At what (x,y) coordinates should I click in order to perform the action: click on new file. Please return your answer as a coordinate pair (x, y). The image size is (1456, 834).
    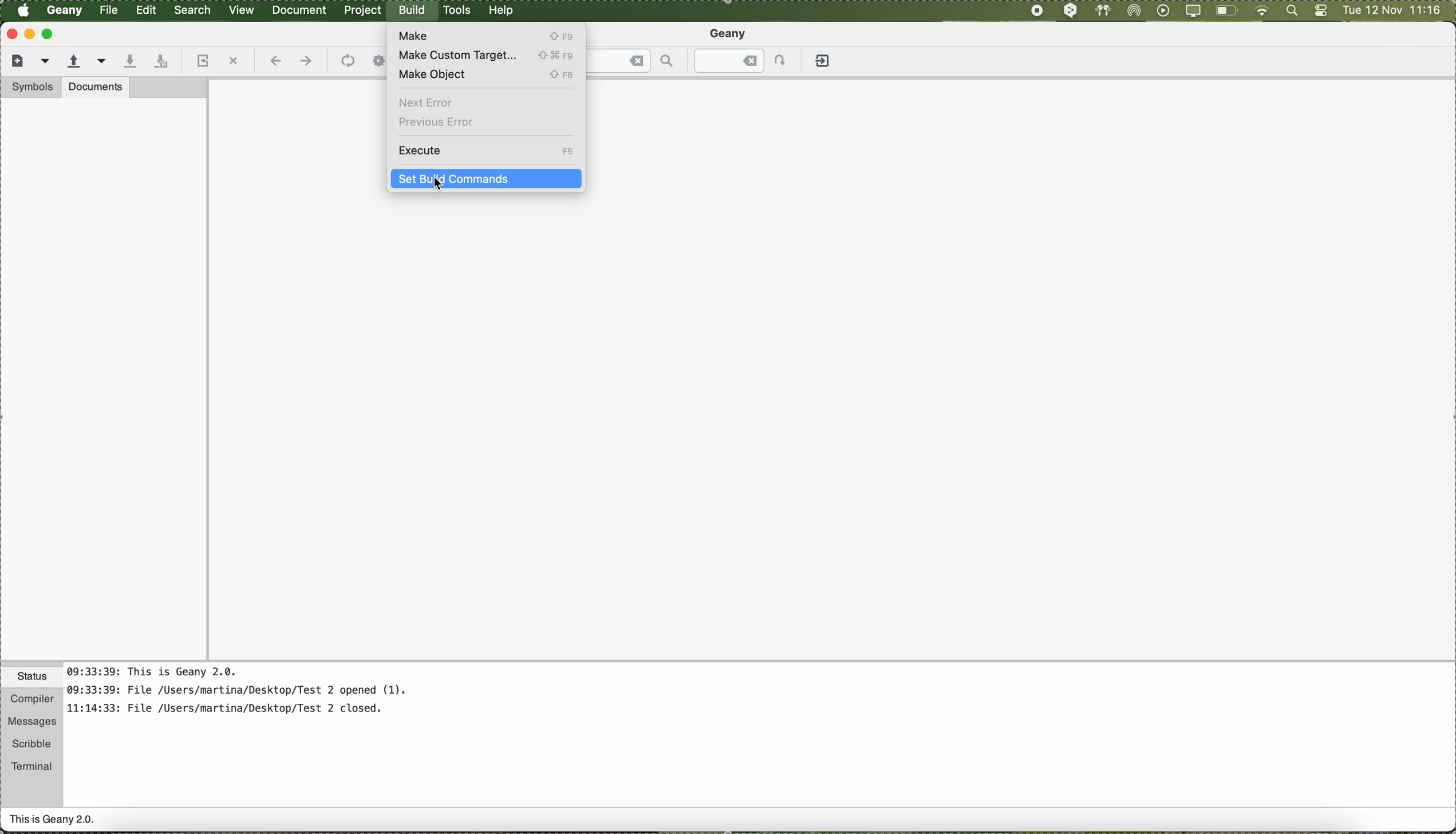
    Looking at the image, I should click on (15, 60).